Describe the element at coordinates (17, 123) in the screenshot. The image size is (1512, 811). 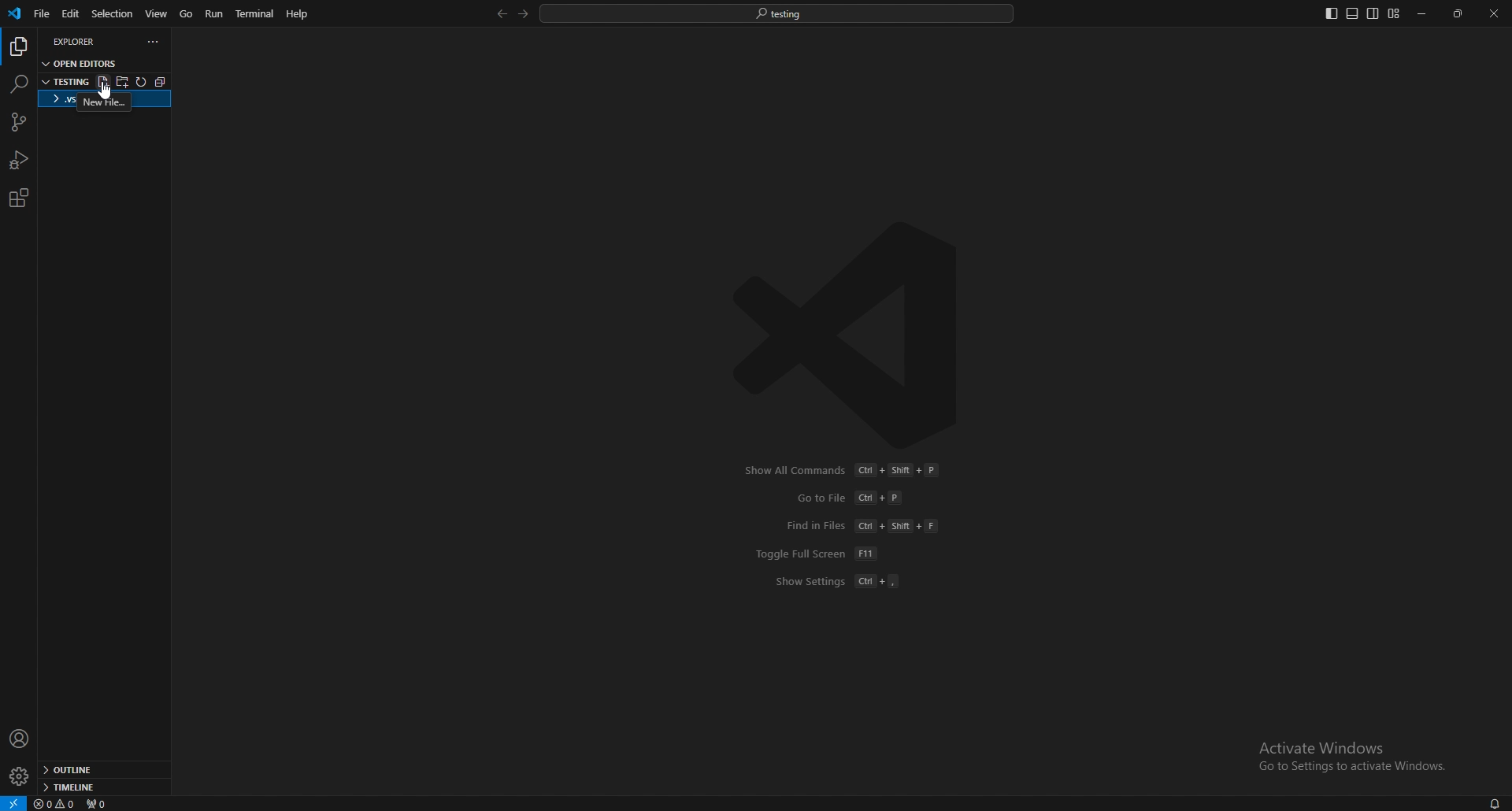
I see `source code` at that location.